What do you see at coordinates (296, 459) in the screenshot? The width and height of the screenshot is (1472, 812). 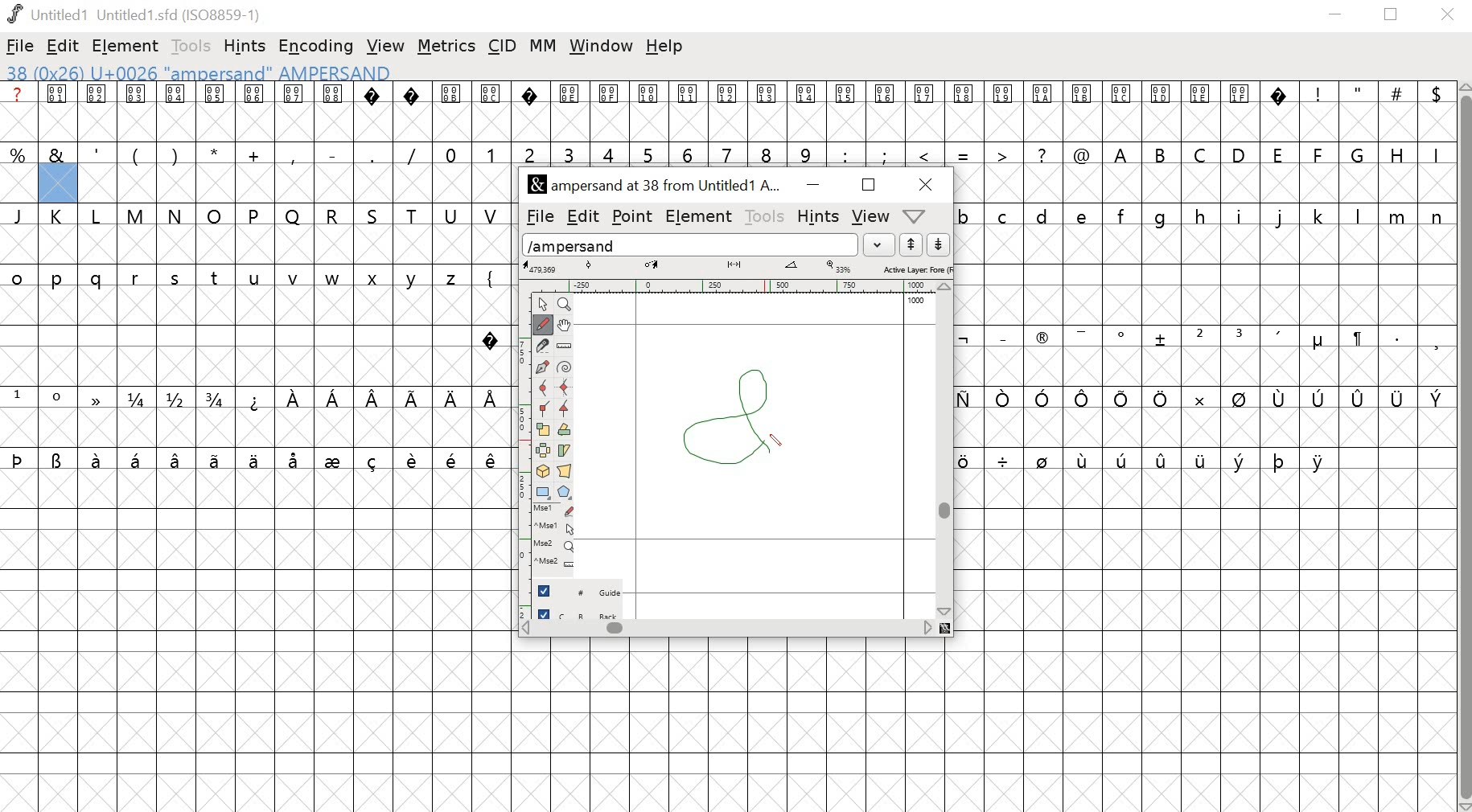 I see `symbol` at bounding box center [296, 459].